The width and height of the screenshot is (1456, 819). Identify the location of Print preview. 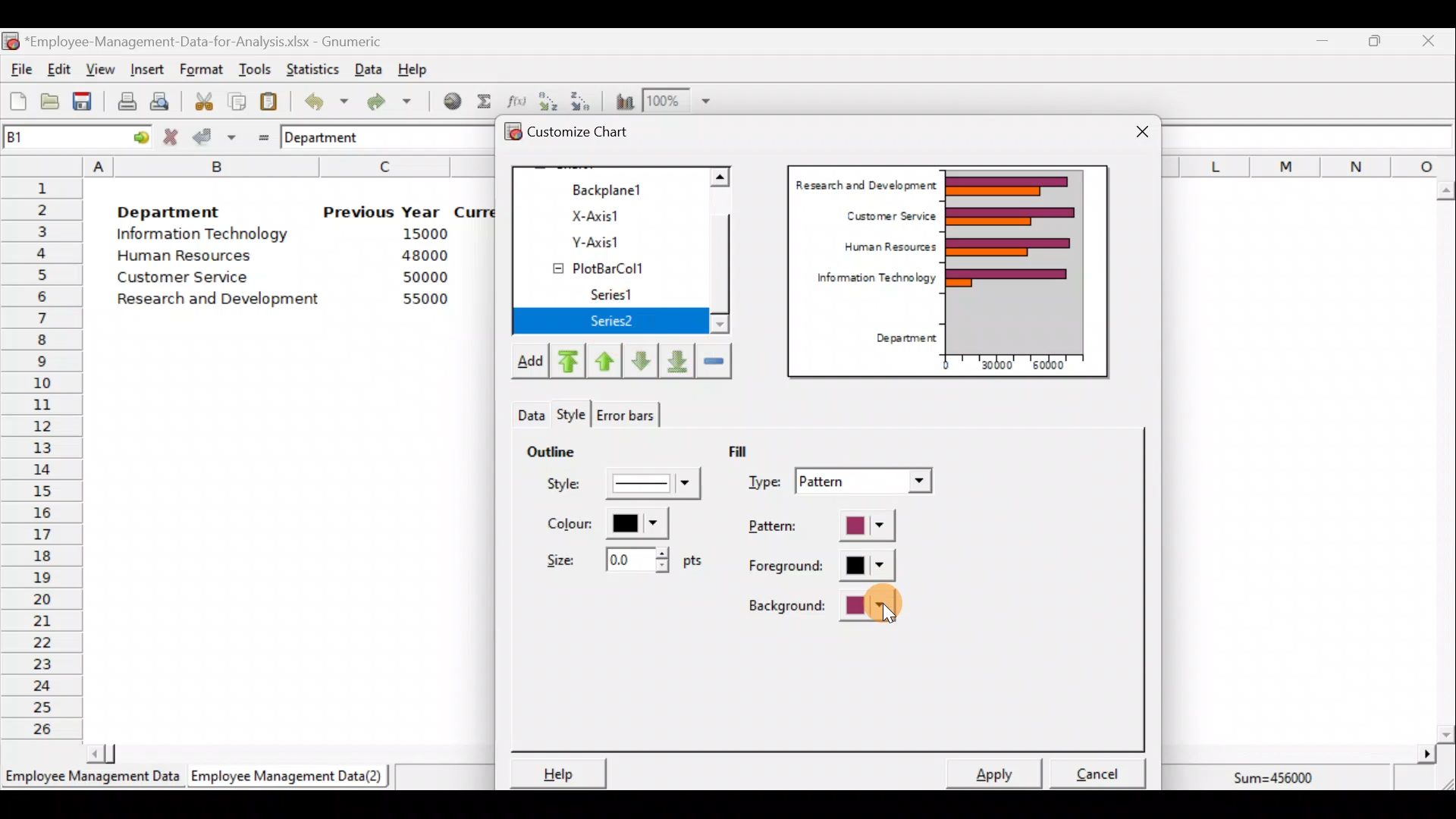
(159, 99).